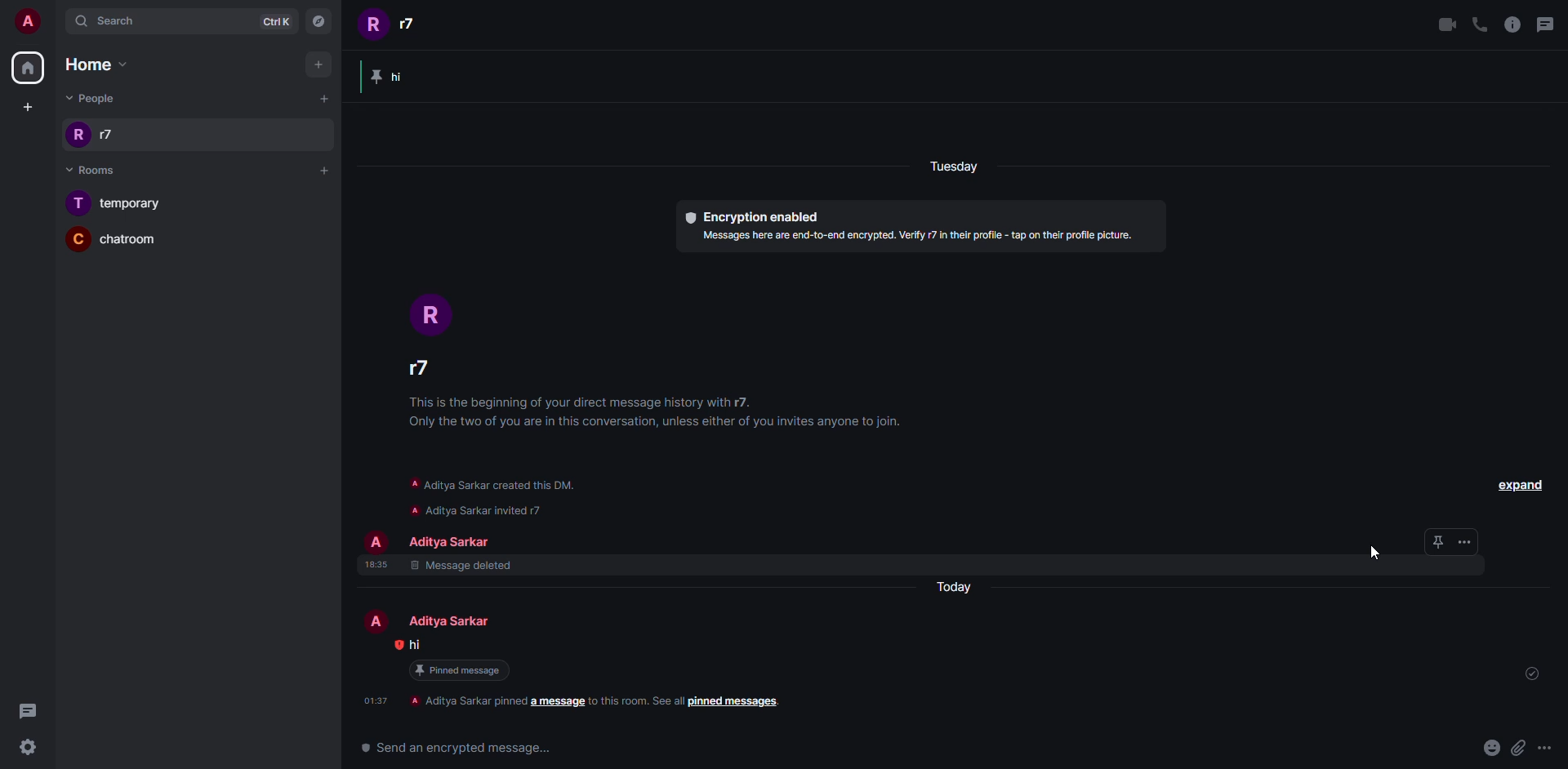  Describe the element at coordinates (1514, 24) in the screenshot. I see `info` at that location.